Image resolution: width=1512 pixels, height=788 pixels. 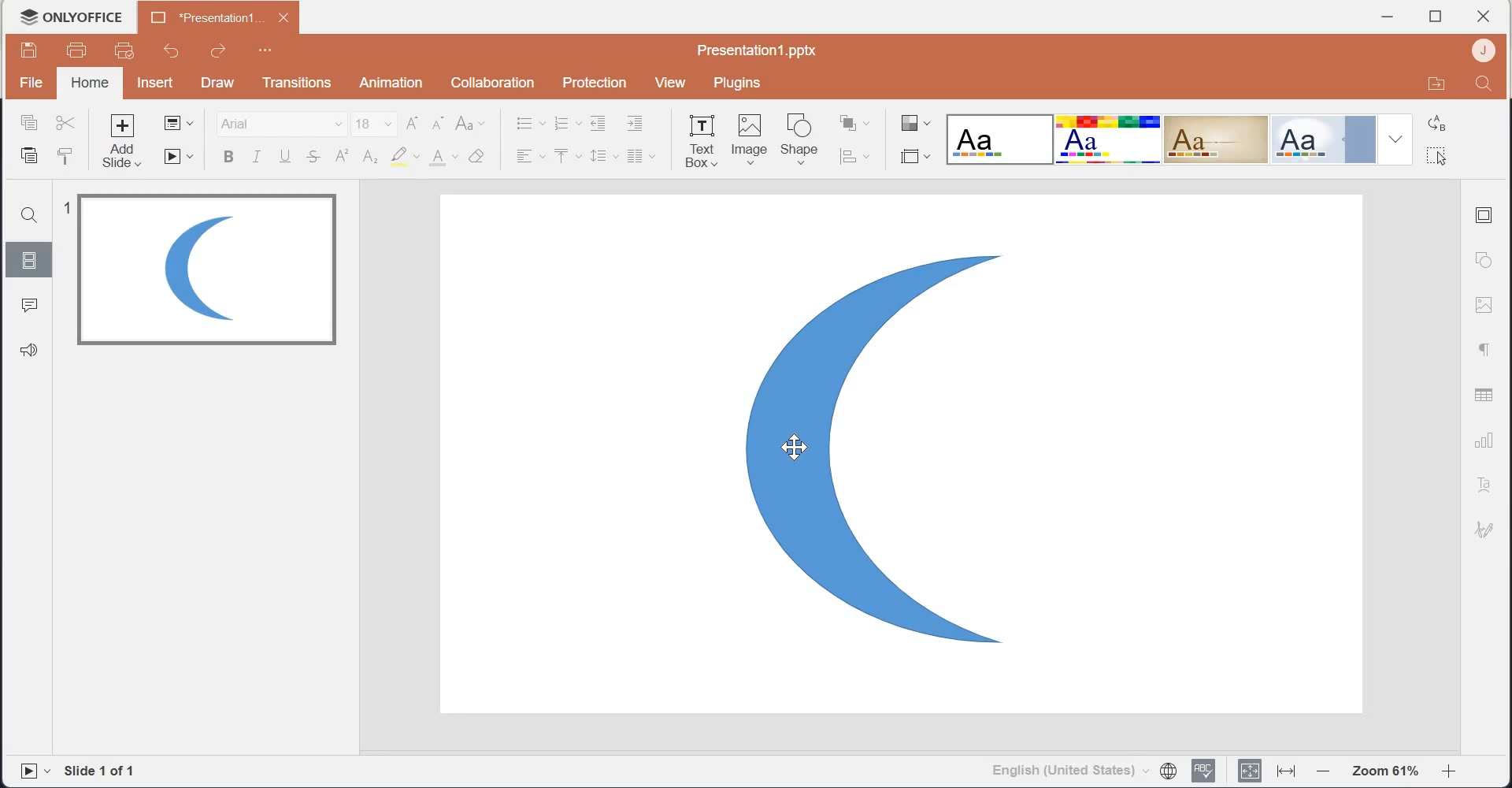 What do you see at coordinates (216, 50) in the screenshot?
I see `Redo` at bounding box center [216, 50].